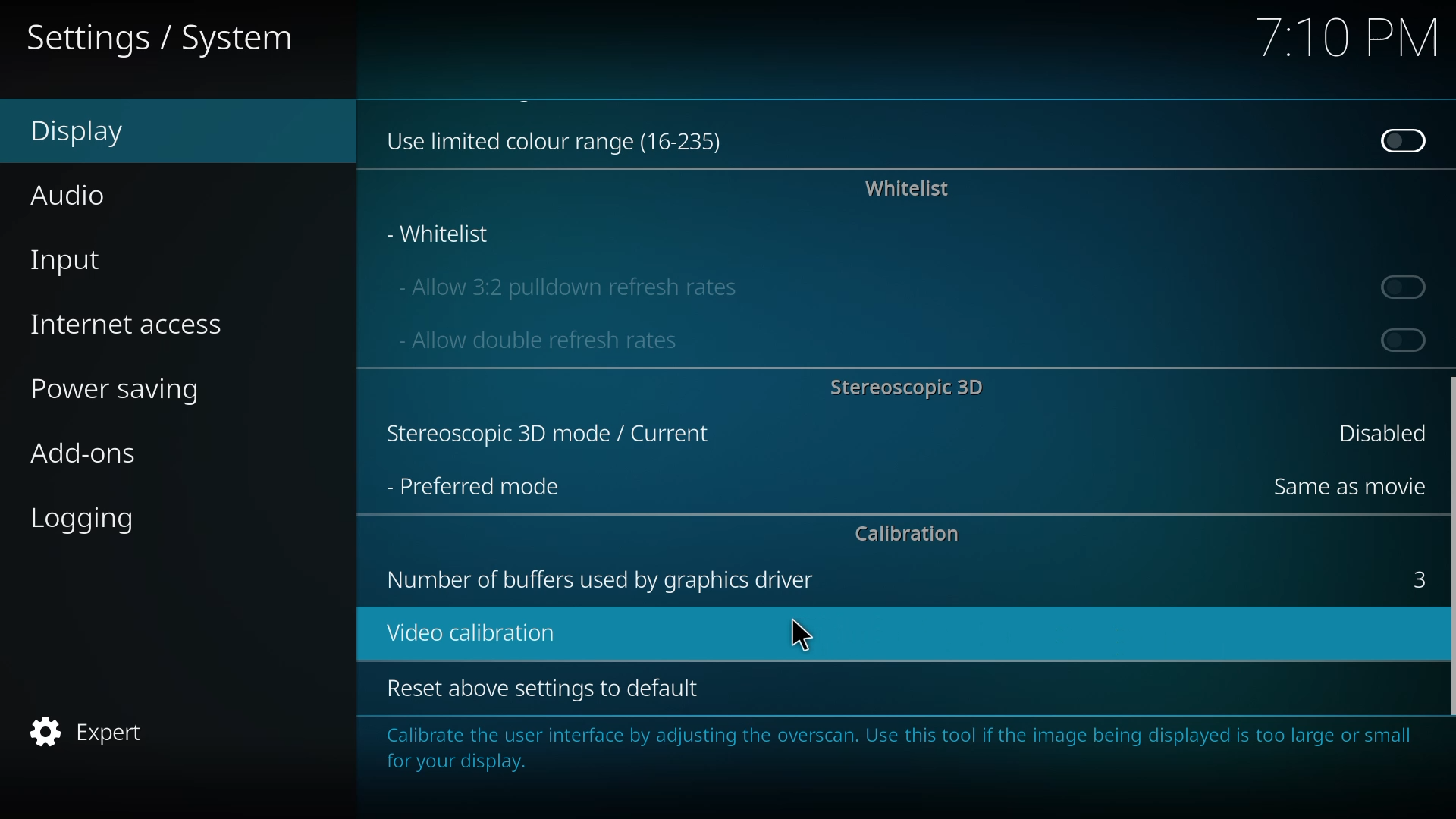  Describe the element at coordinates (544, 435) in the screenshot. I see `stereoscopic 3d` at that location.